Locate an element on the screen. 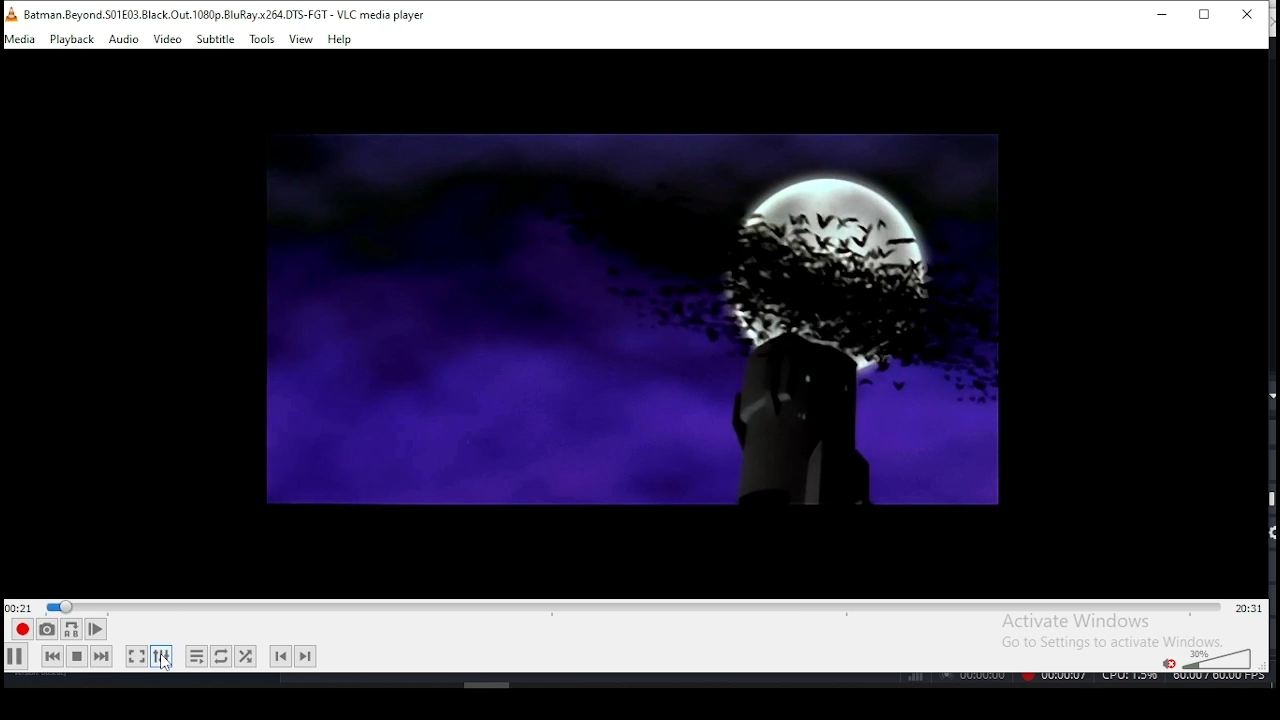 The height and width of the screenshot is (720, 1280). frame by frame is located at coordinates (94, 629).